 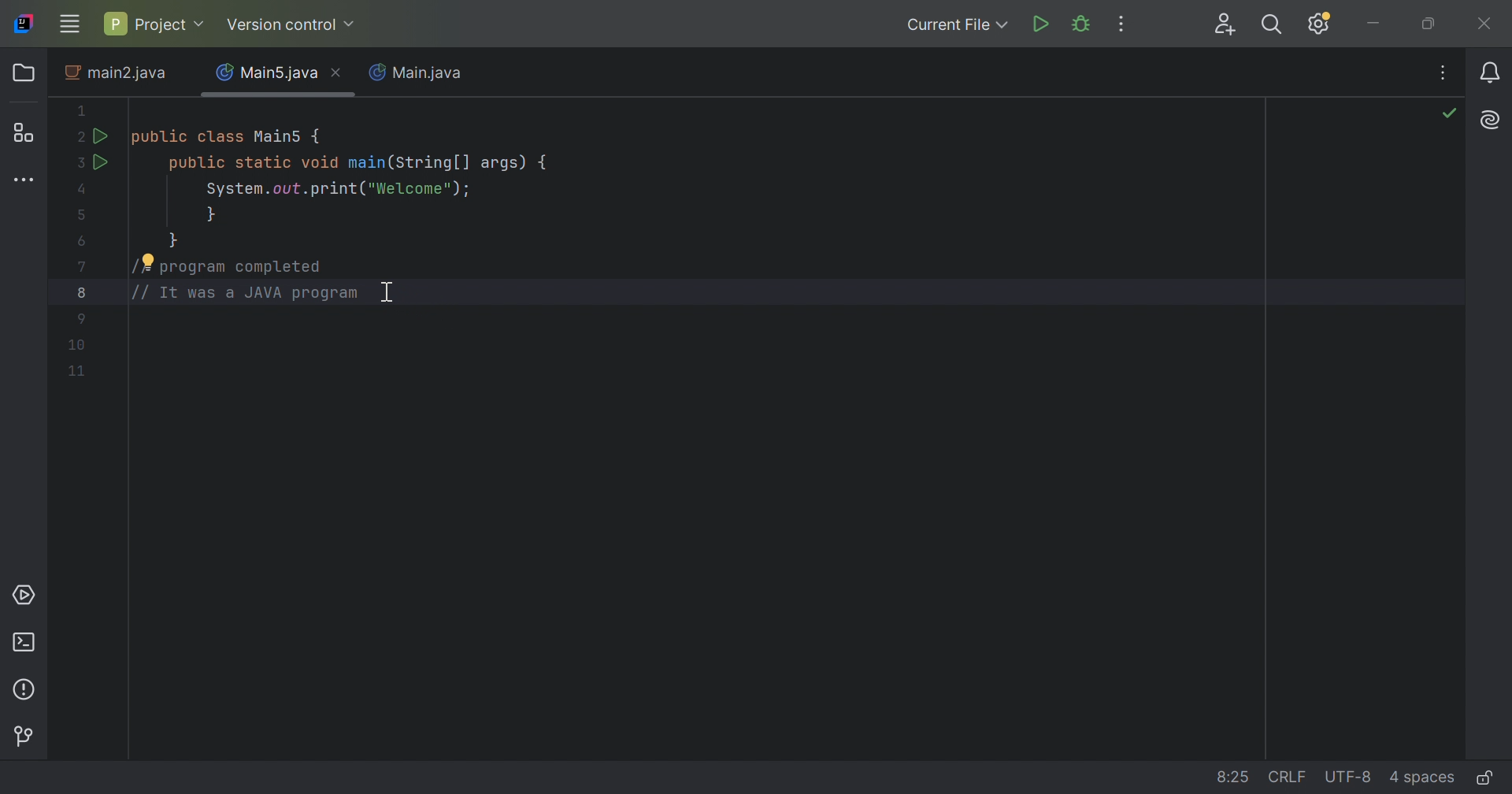 I want to click on AI Assistant, so click(x=1492, y=121).